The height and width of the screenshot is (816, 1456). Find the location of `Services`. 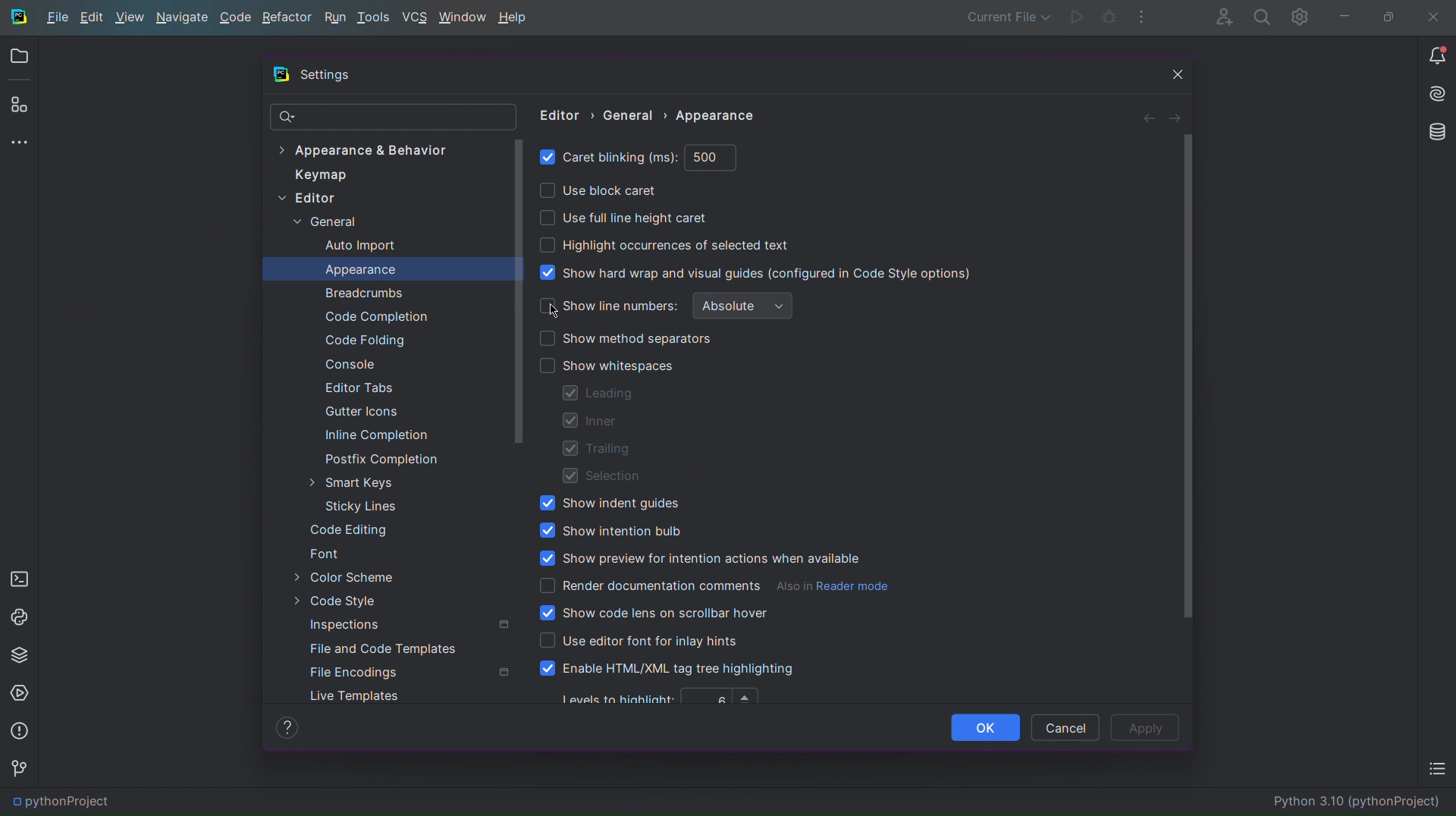

Services is located at coordinates (21, 693).